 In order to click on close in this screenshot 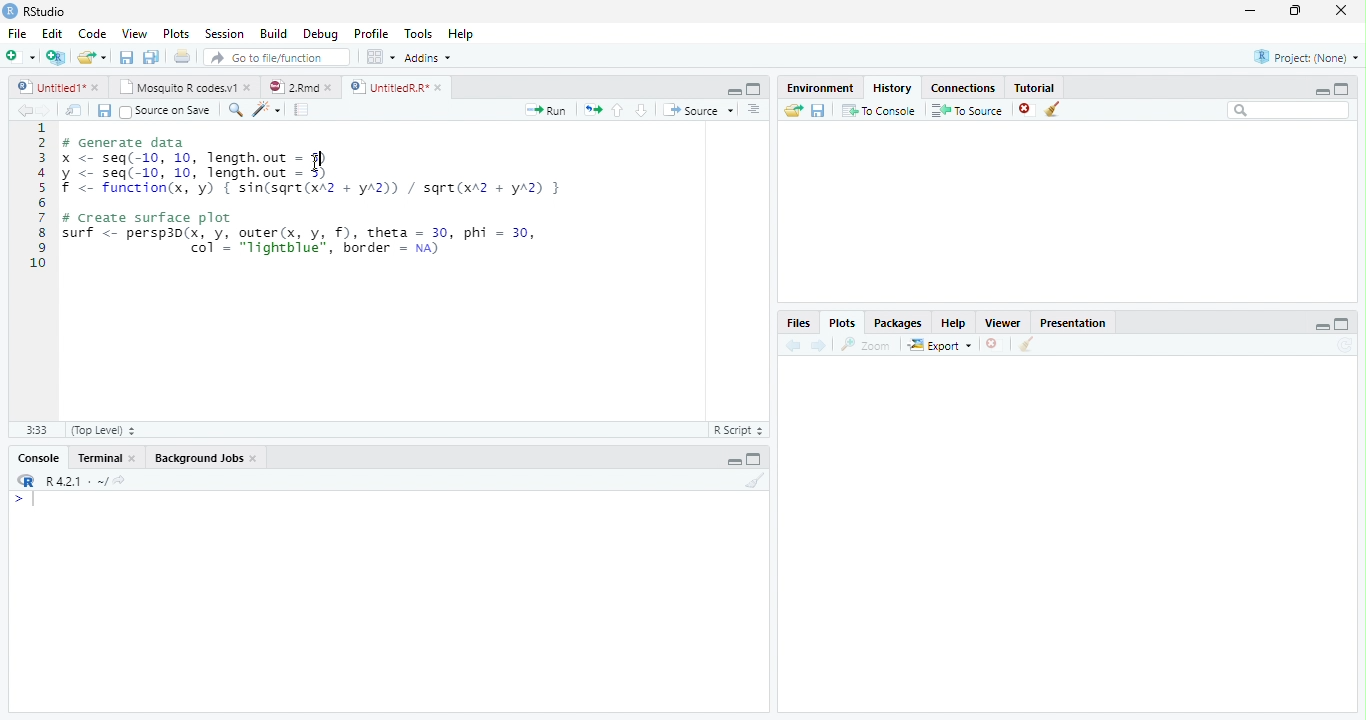, I will do `click(329, 88)`.